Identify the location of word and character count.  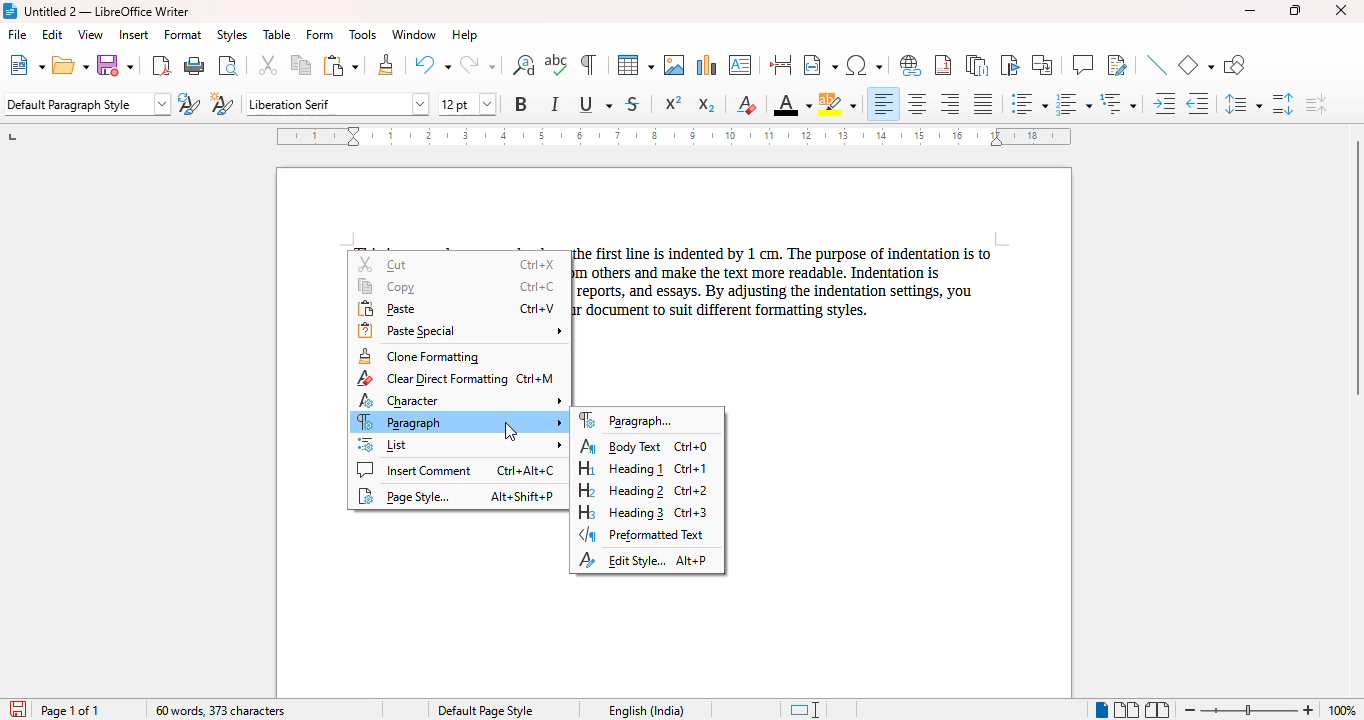
(221, 710).